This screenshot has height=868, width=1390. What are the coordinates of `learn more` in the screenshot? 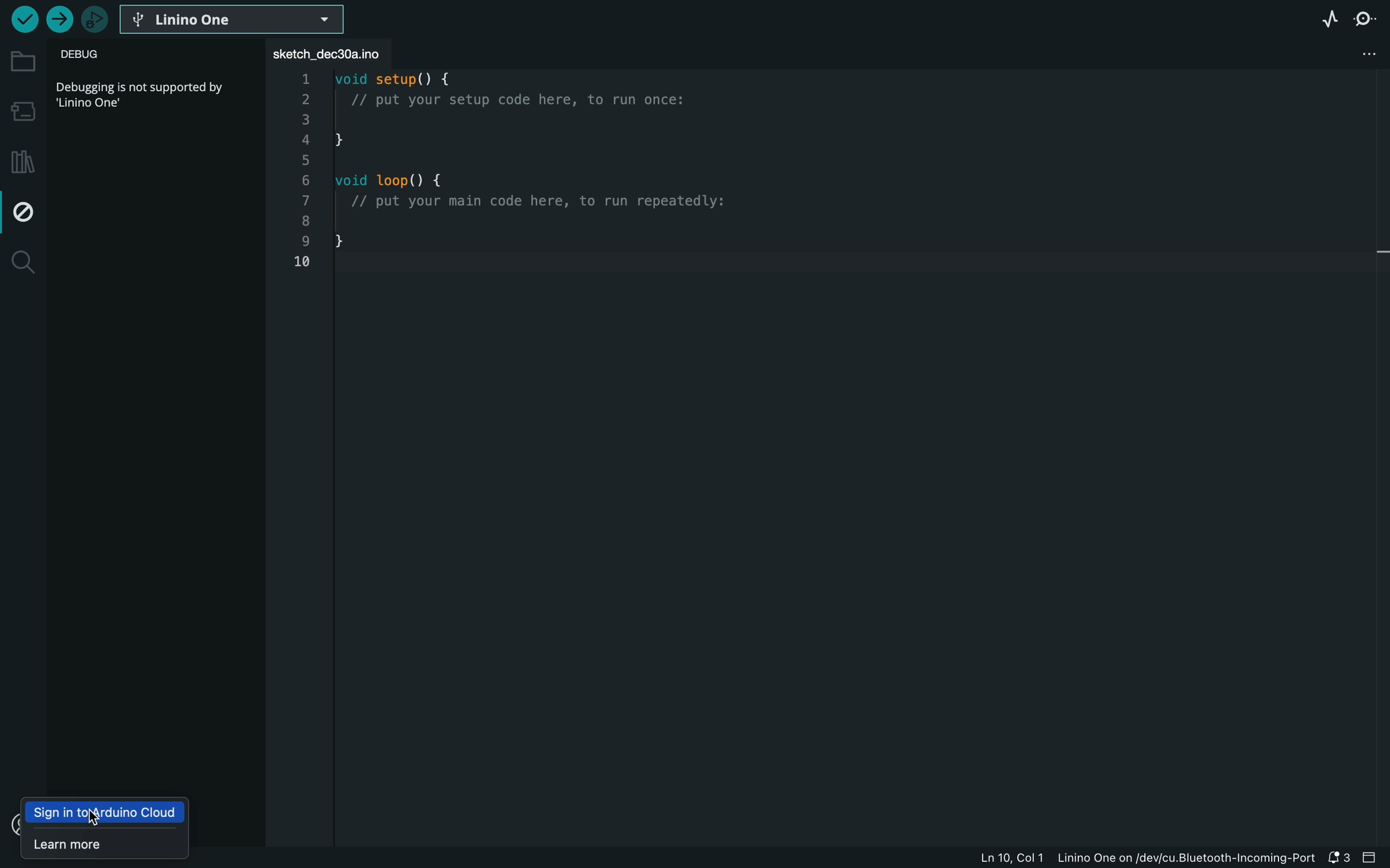 It's located at (102, 843).